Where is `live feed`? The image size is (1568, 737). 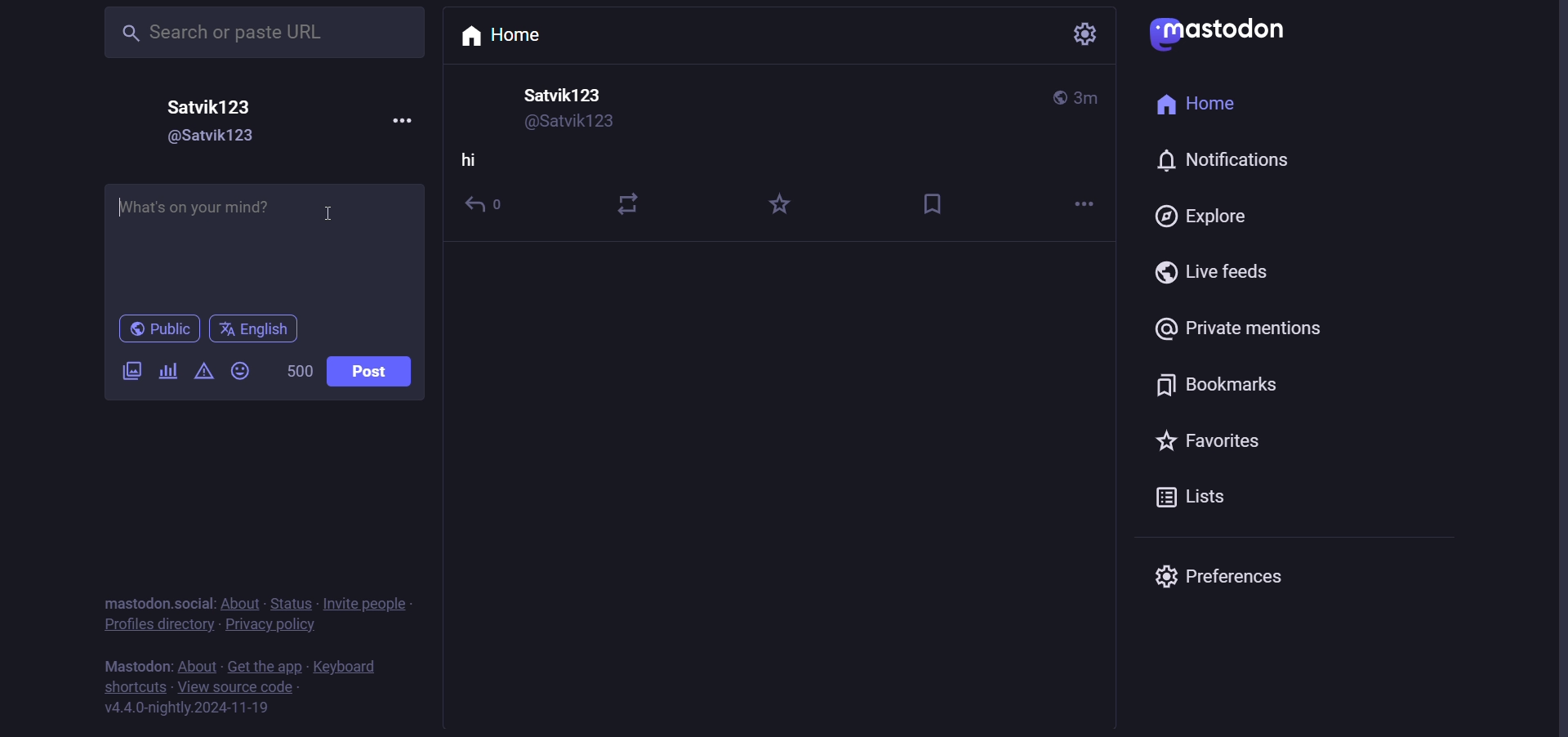 live feed is located at coordinates (1212, 274).